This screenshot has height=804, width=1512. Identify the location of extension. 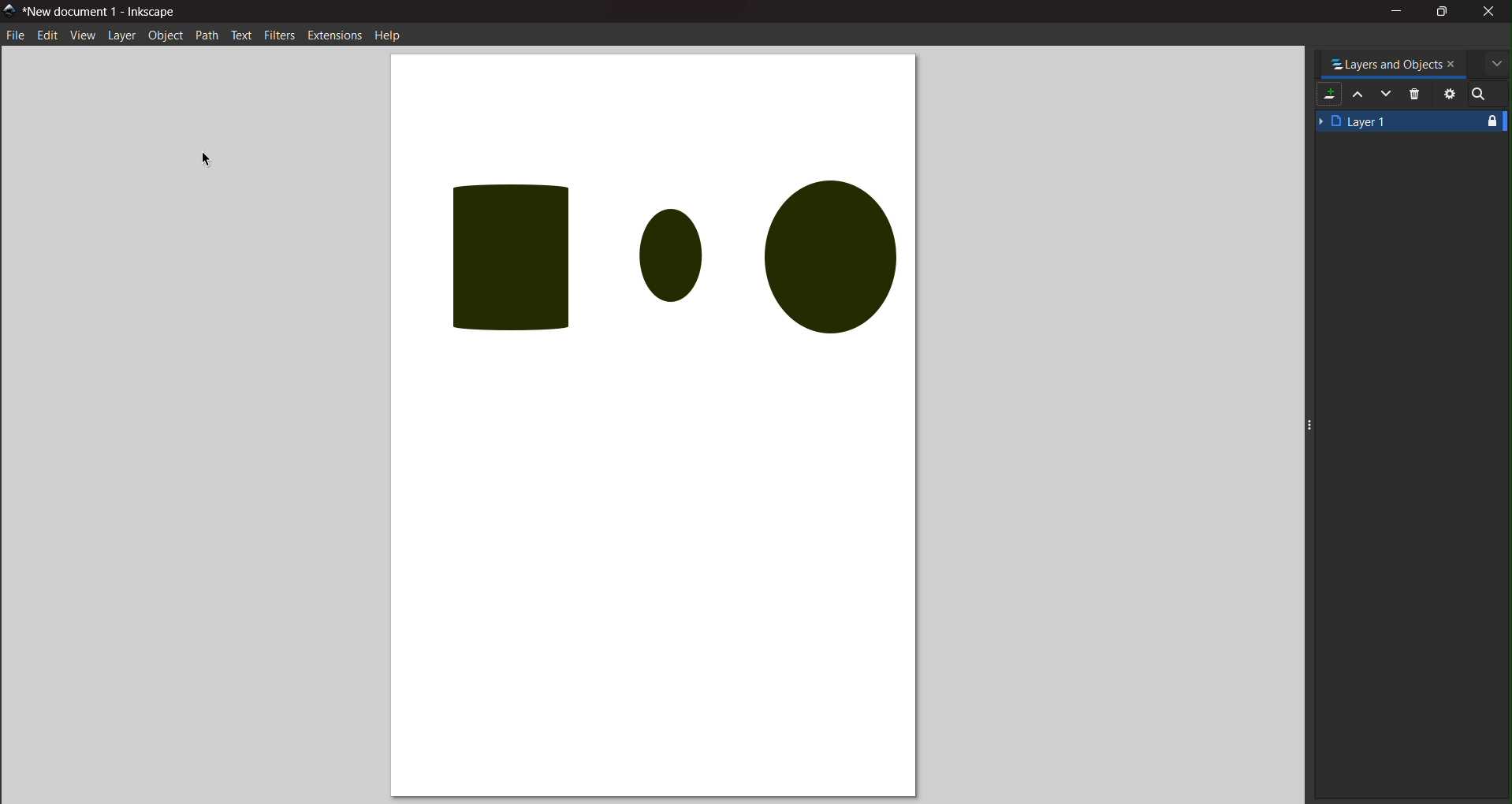
(335, 35).